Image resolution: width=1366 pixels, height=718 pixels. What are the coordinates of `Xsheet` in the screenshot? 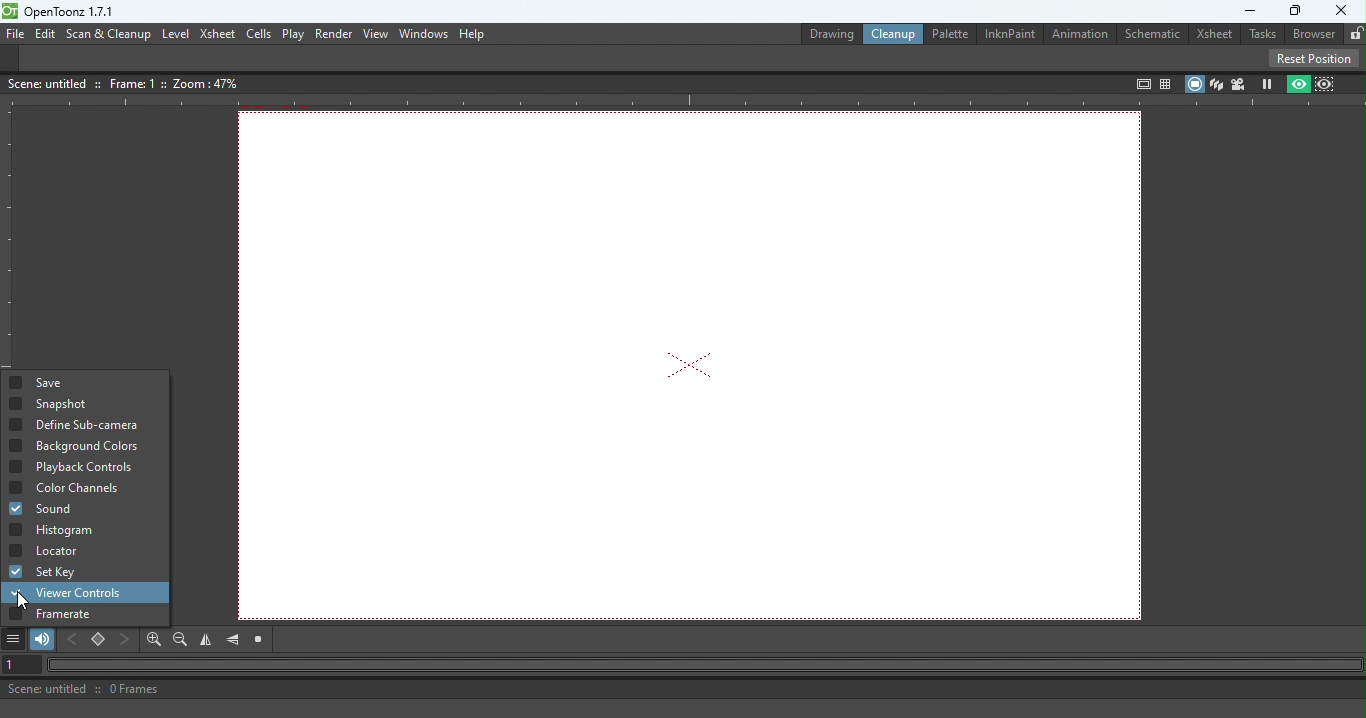 It's located at (1214, 34).